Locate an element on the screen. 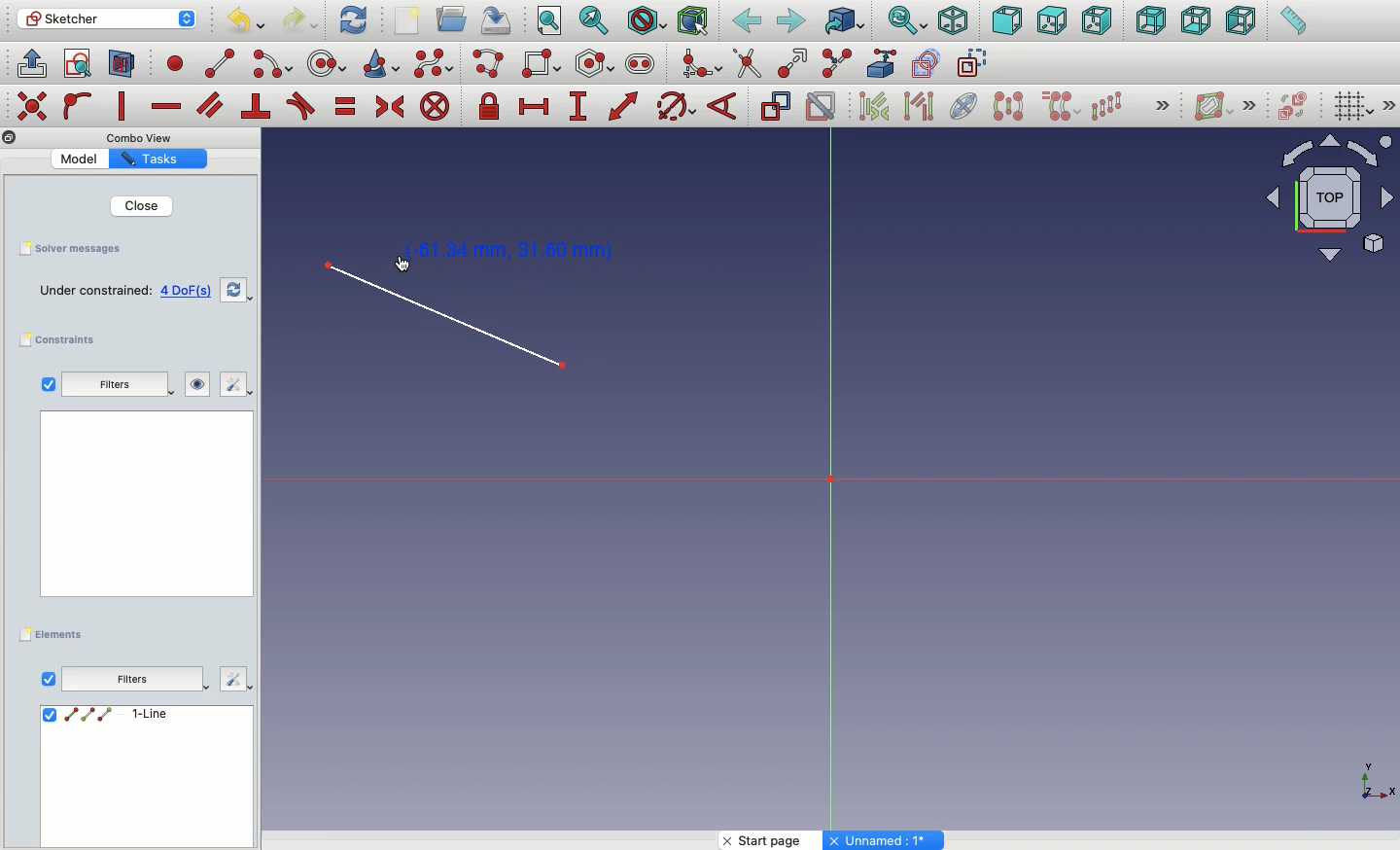  Back is located at coordinates (746, 22).